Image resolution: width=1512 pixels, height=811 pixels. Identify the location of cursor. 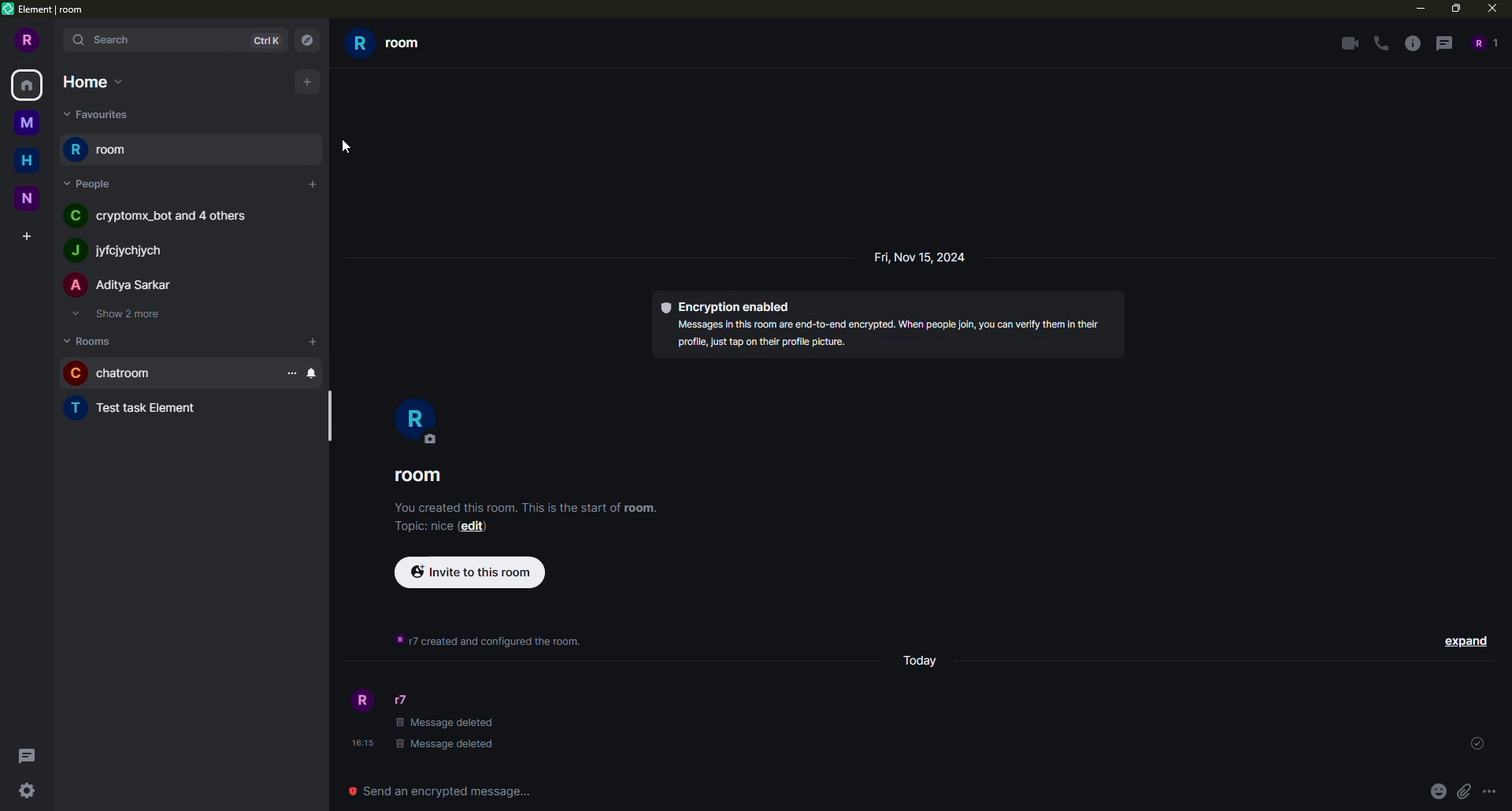
(341, 145).